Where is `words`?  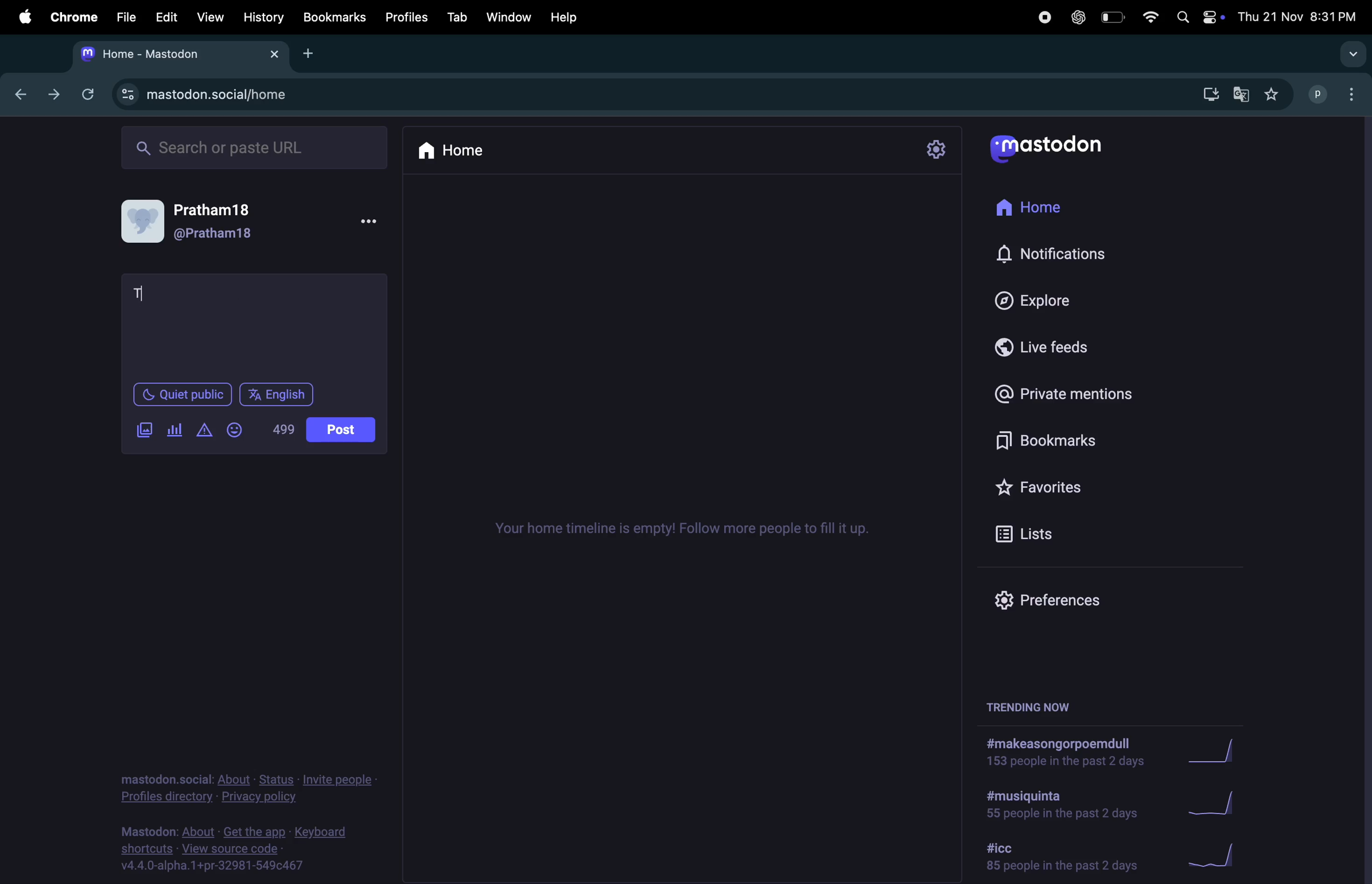
words is located at coordinates (285, 429).